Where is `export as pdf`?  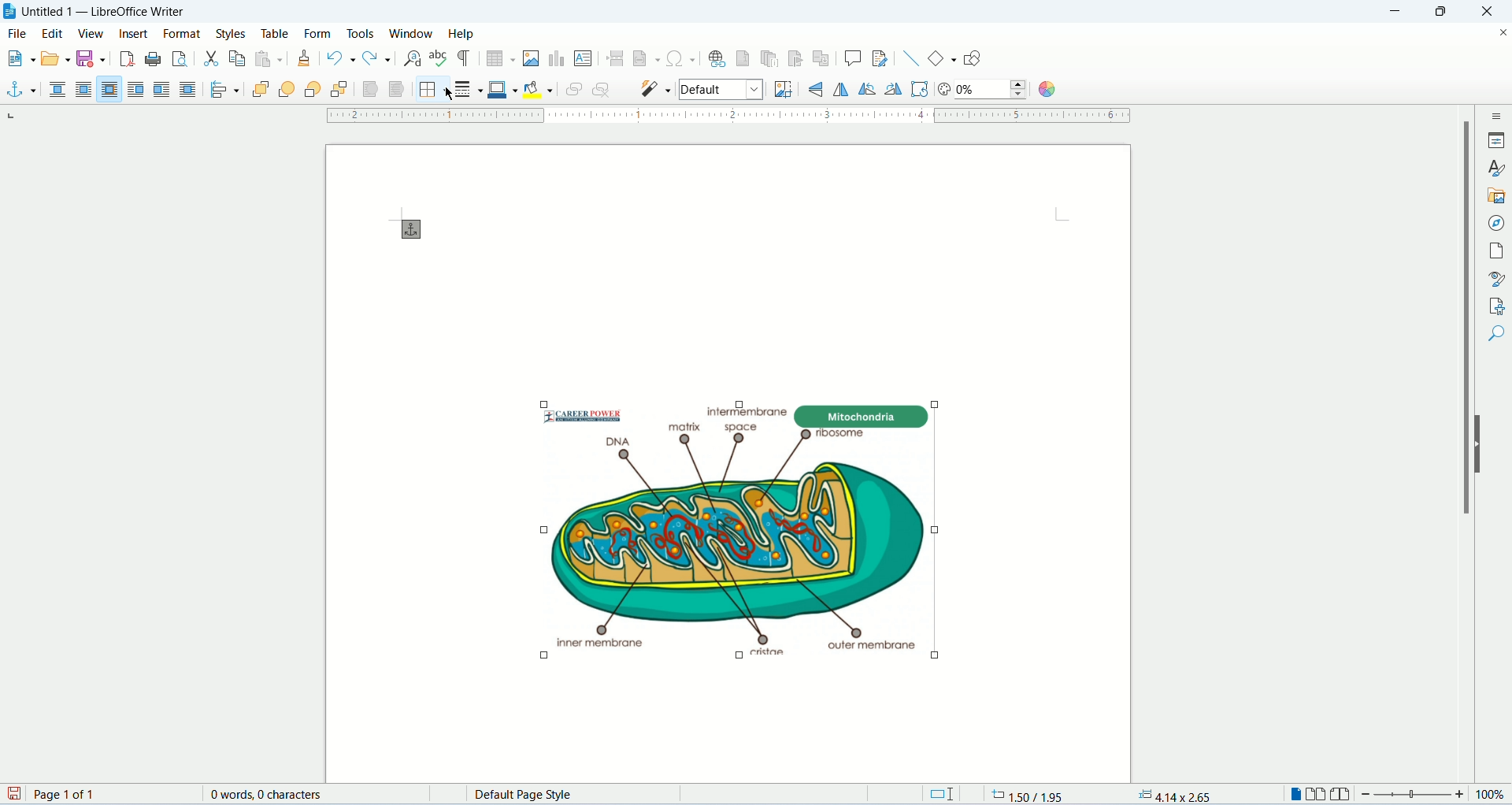 export as pdf is located at coordinates (127, 61).